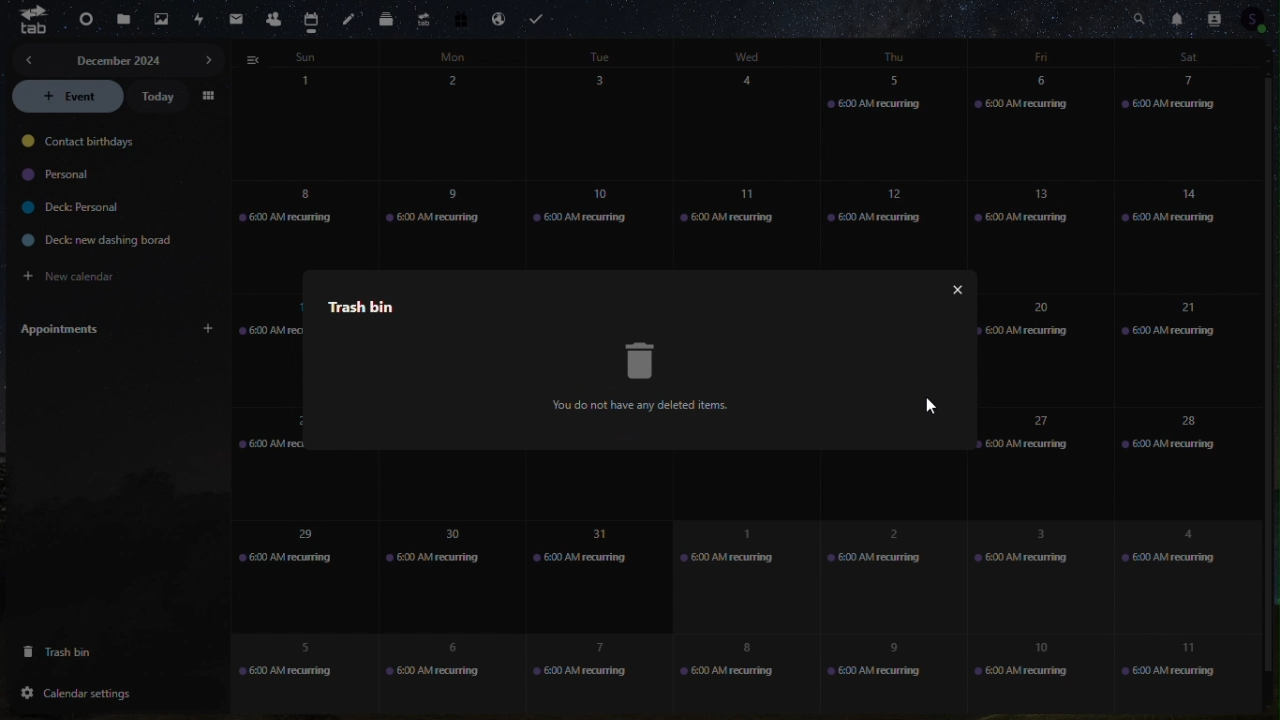 The width and height of the screenshot is (1280, 720). I want to click on event, so click(68, 97).